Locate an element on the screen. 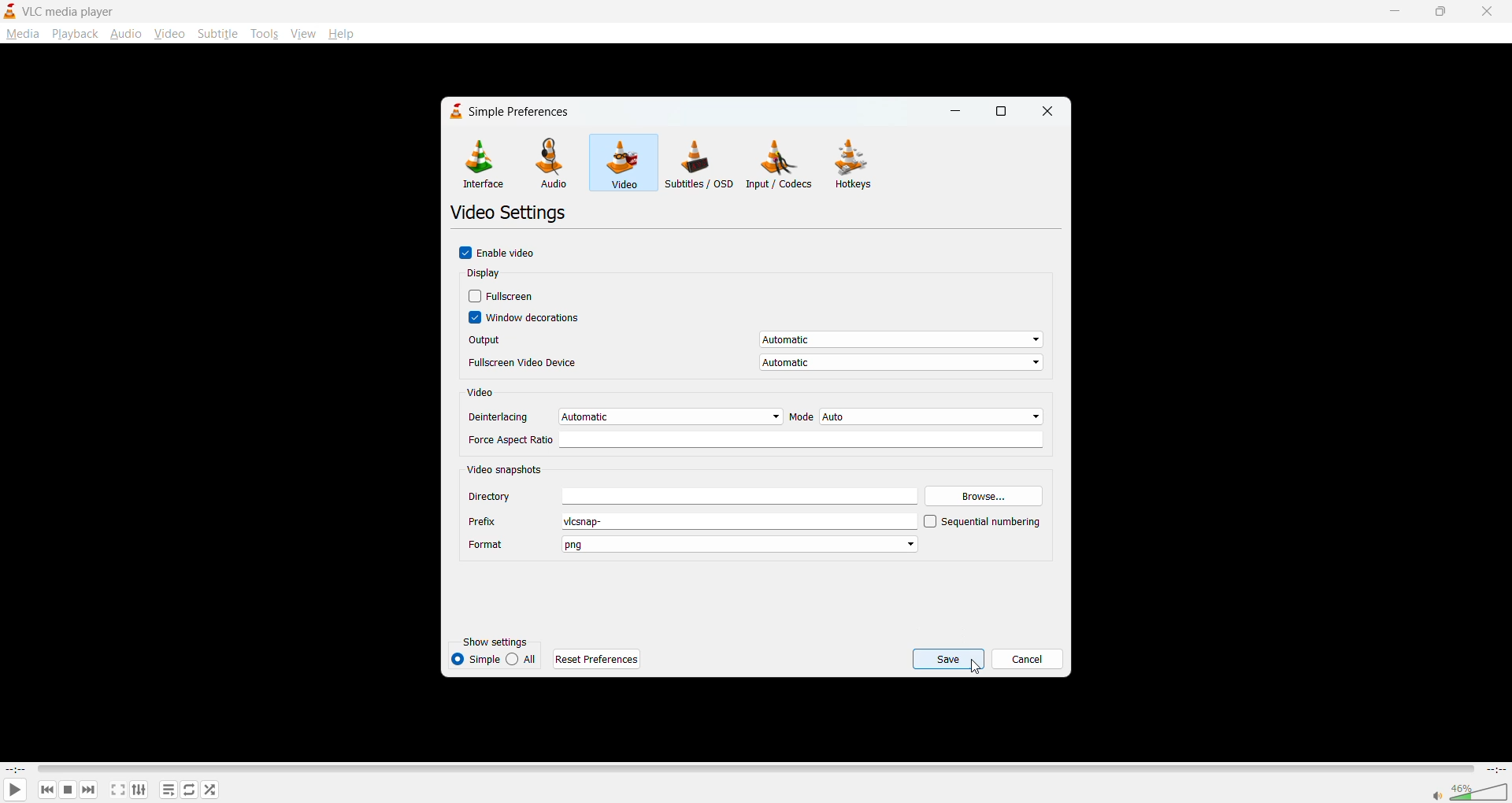 The image size is (1512, 803). video snapshots is located at coordinates (507, 468).